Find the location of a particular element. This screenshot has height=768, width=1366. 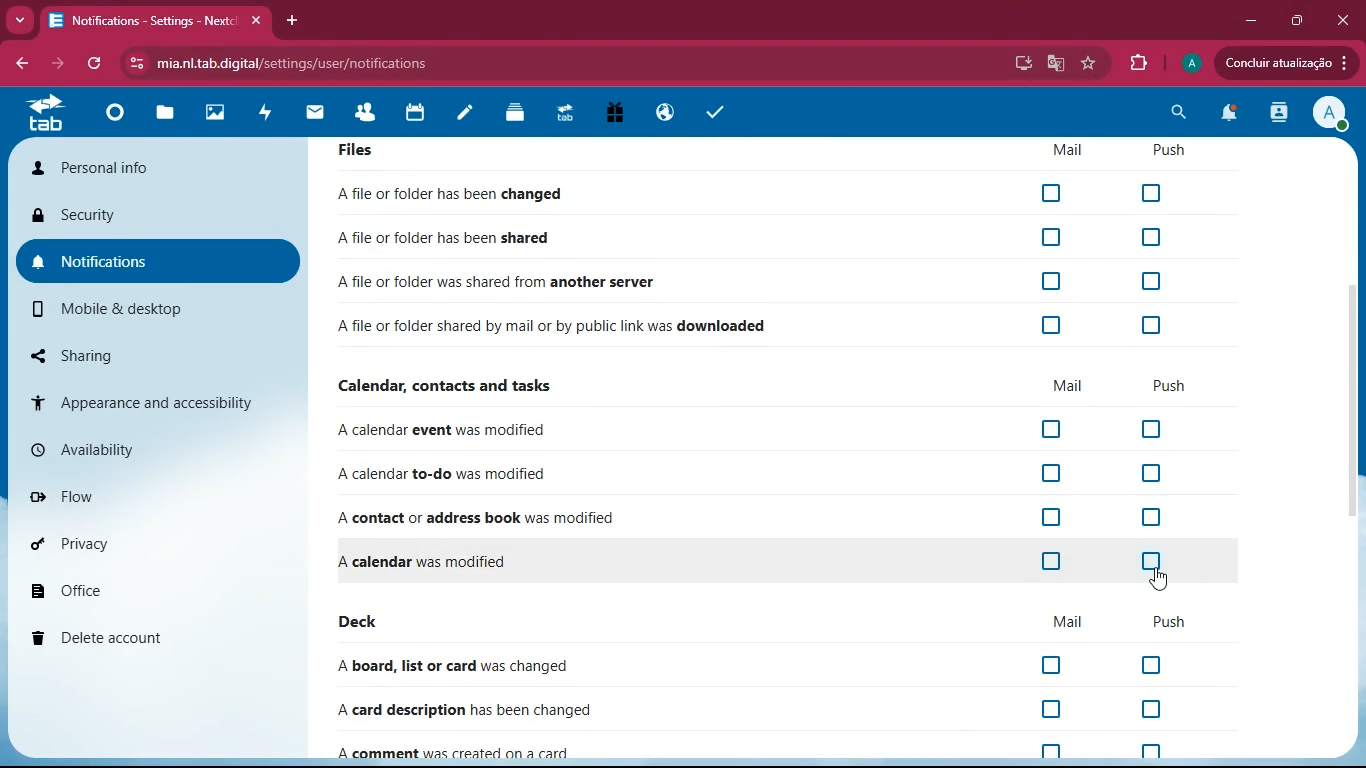

activity is located at coordinates (271, 116).